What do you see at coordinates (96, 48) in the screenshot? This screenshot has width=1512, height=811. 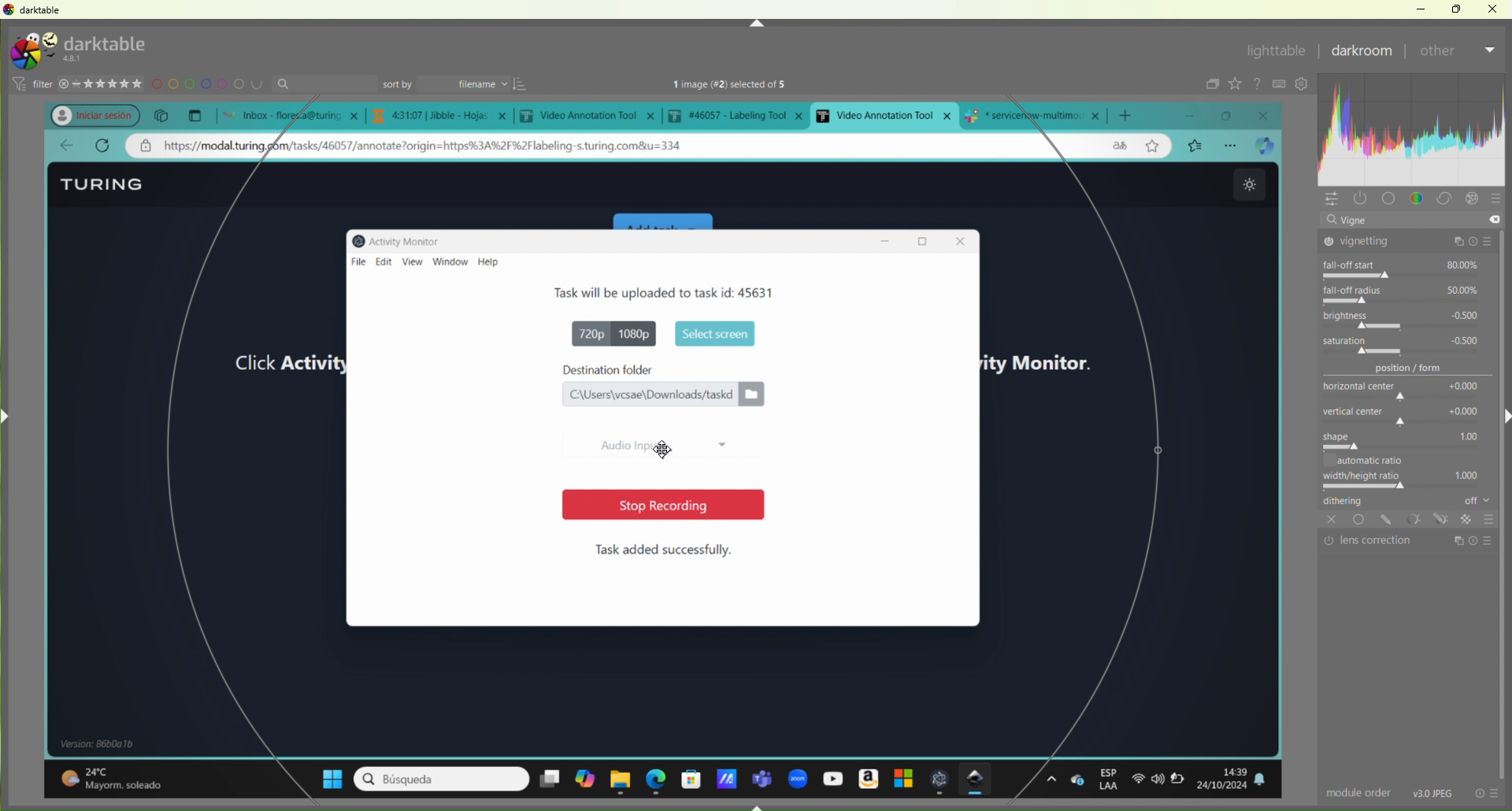 I see `turing` at bounding box center [96, 48].